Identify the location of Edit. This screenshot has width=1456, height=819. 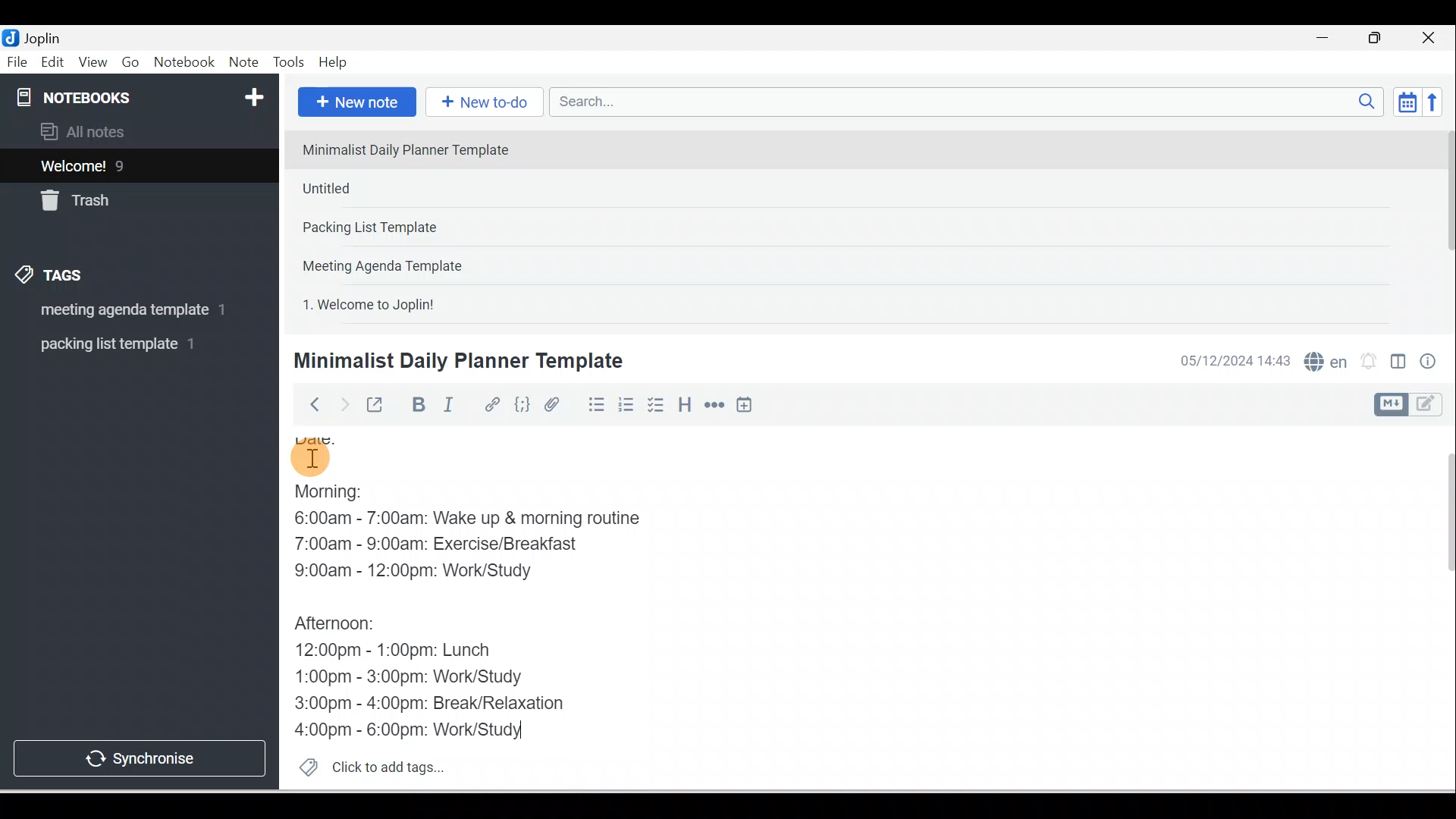
(54, 63).